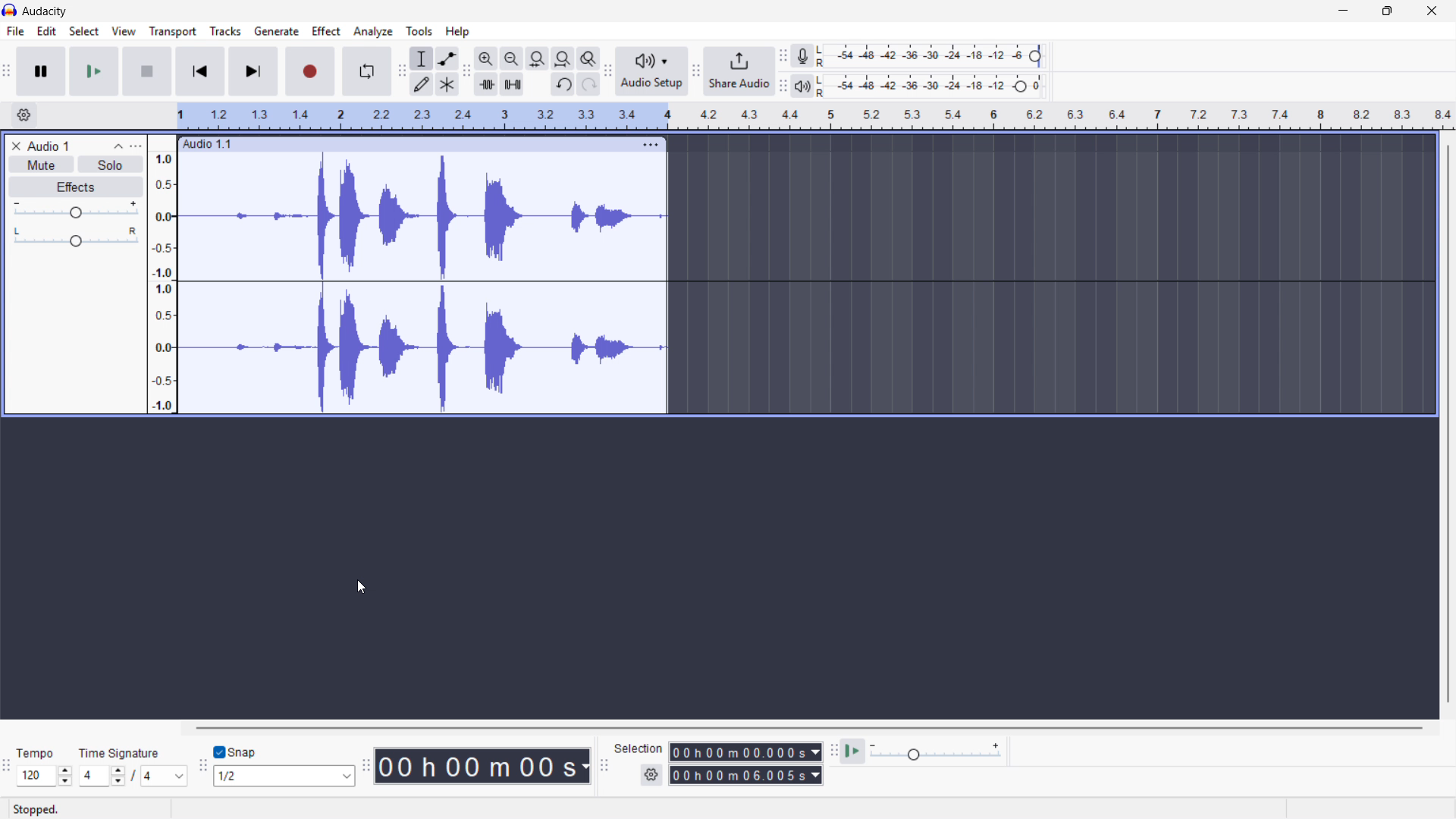 The height and width of the screenshot is (819, 1456). Describe the element at coordinates (24, 116) in the screenshot. I see `Timeline settings ` at that location.